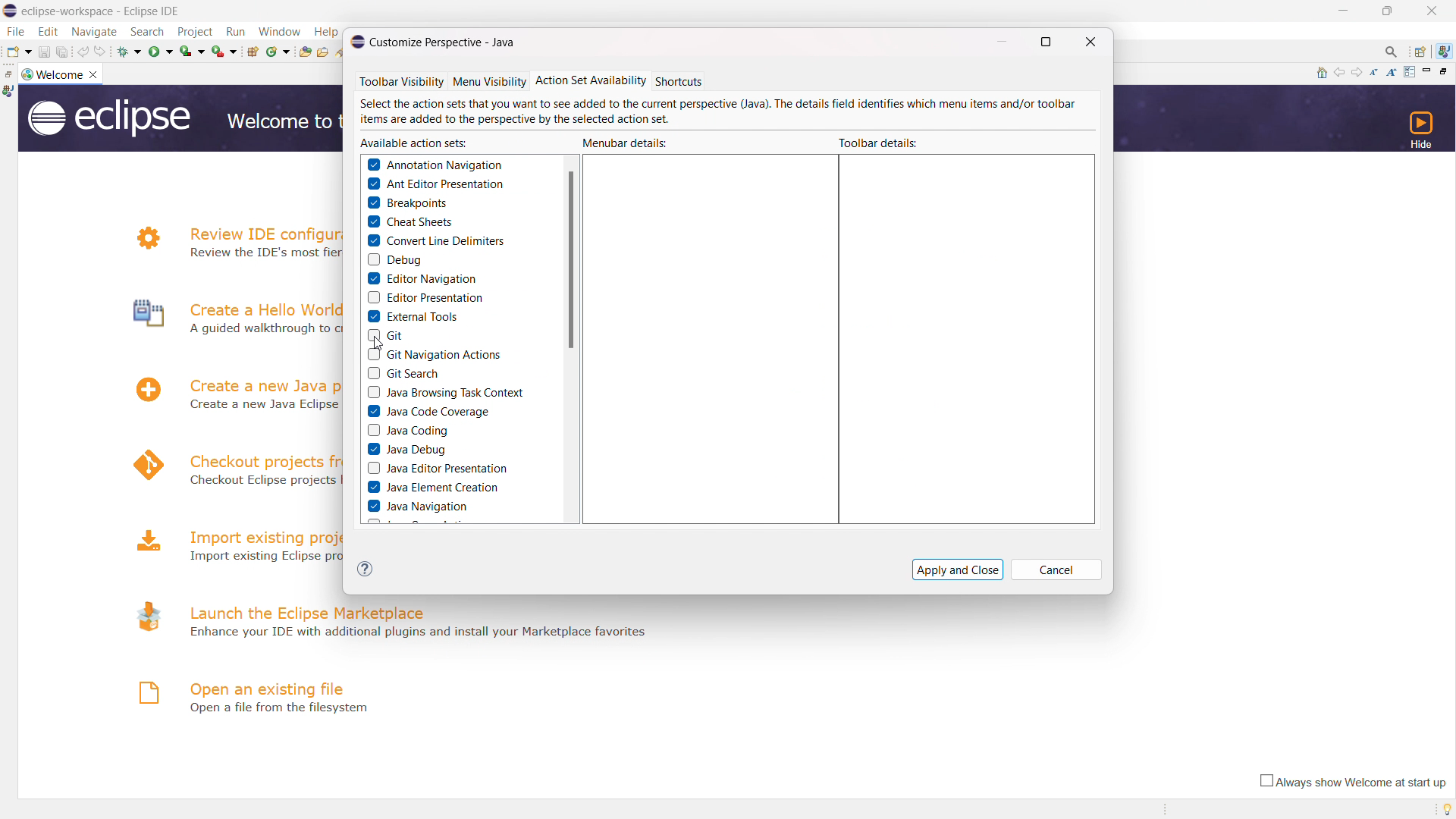 This screenshot has height=819, width=1456. I want to click on window, so click(278, 32).